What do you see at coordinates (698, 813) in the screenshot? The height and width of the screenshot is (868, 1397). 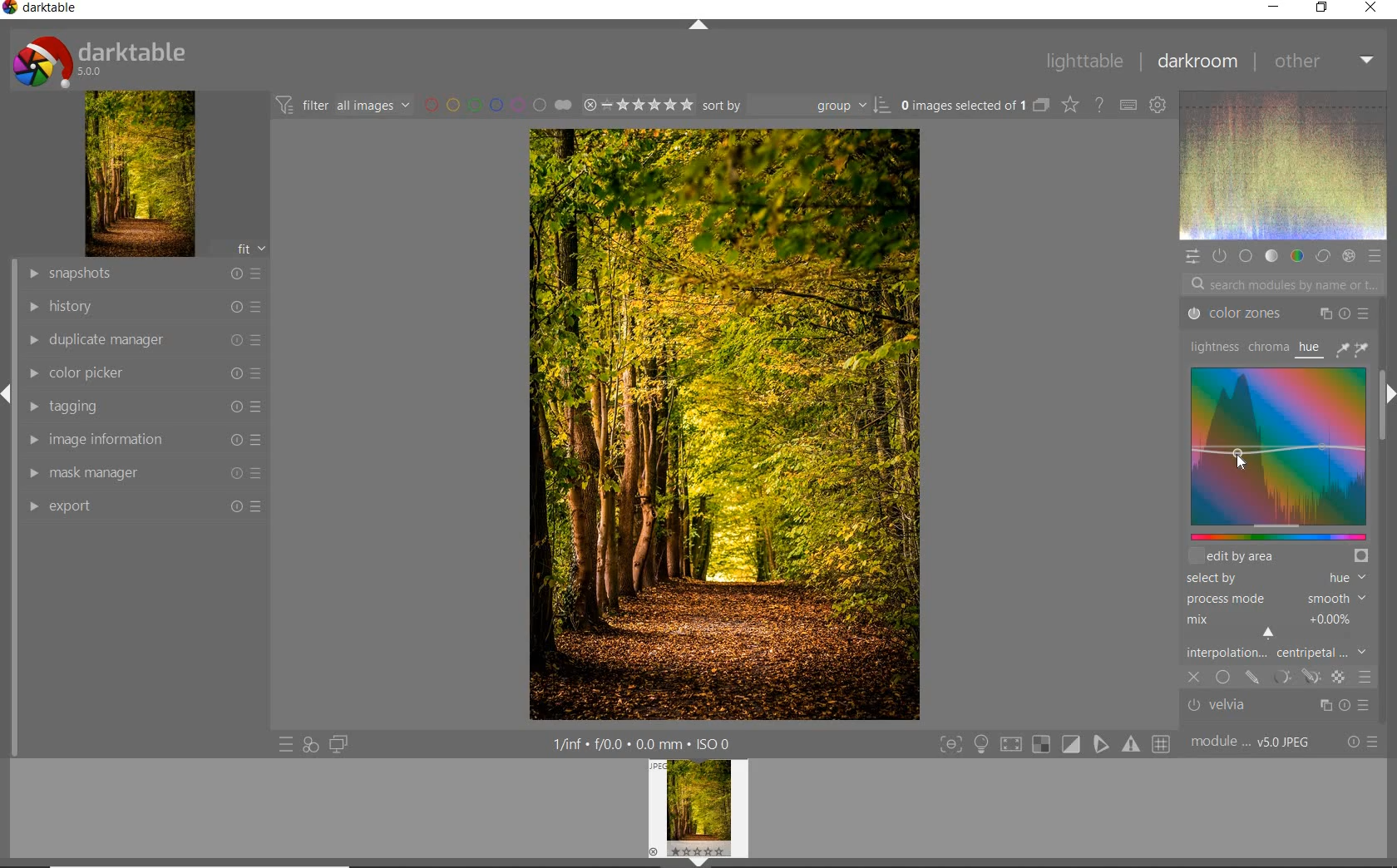 I see `IMAGE PREVIEW` at bounding box center [698, 813].